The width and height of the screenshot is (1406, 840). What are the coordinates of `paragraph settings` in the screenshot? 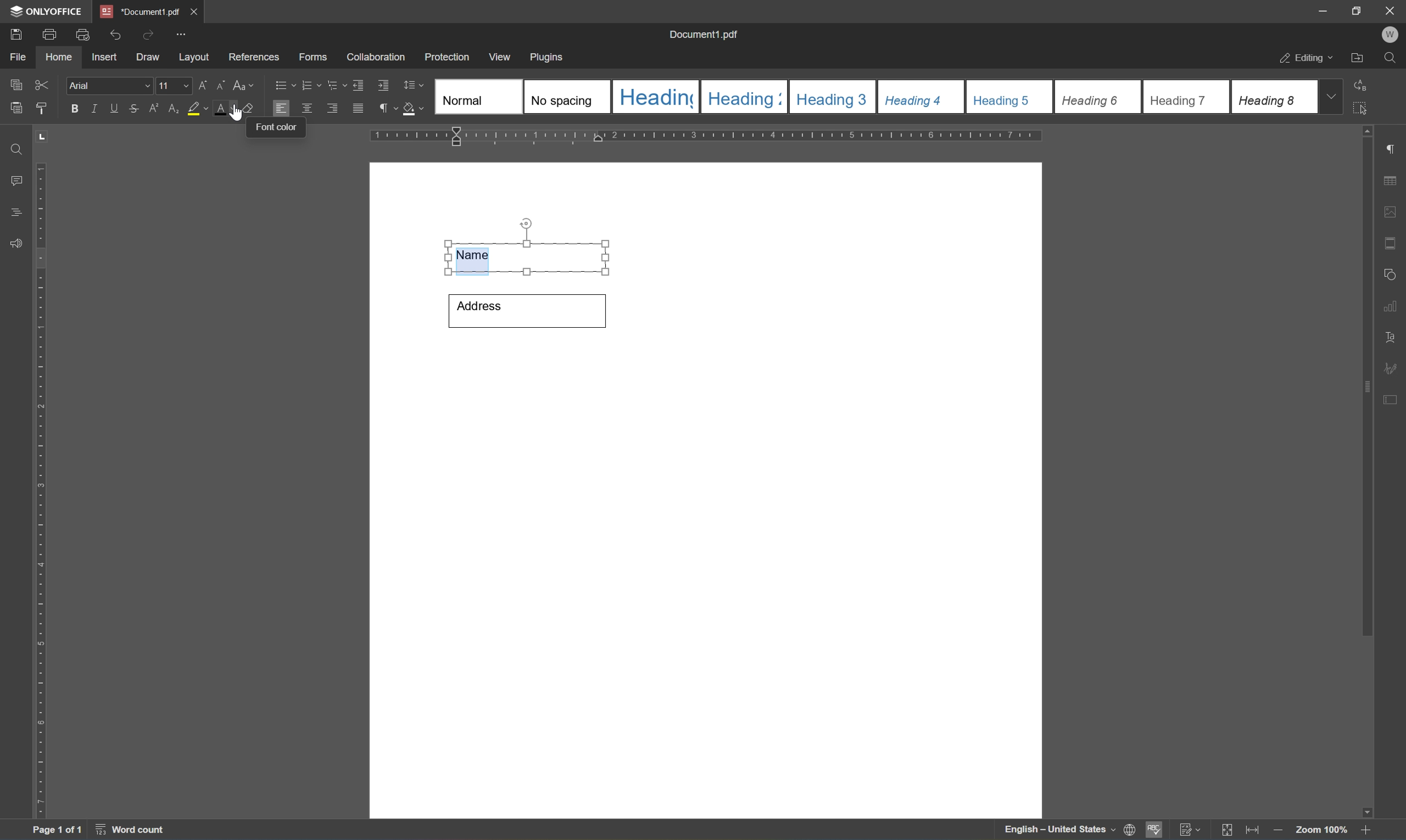 It's located at (1393, 147).